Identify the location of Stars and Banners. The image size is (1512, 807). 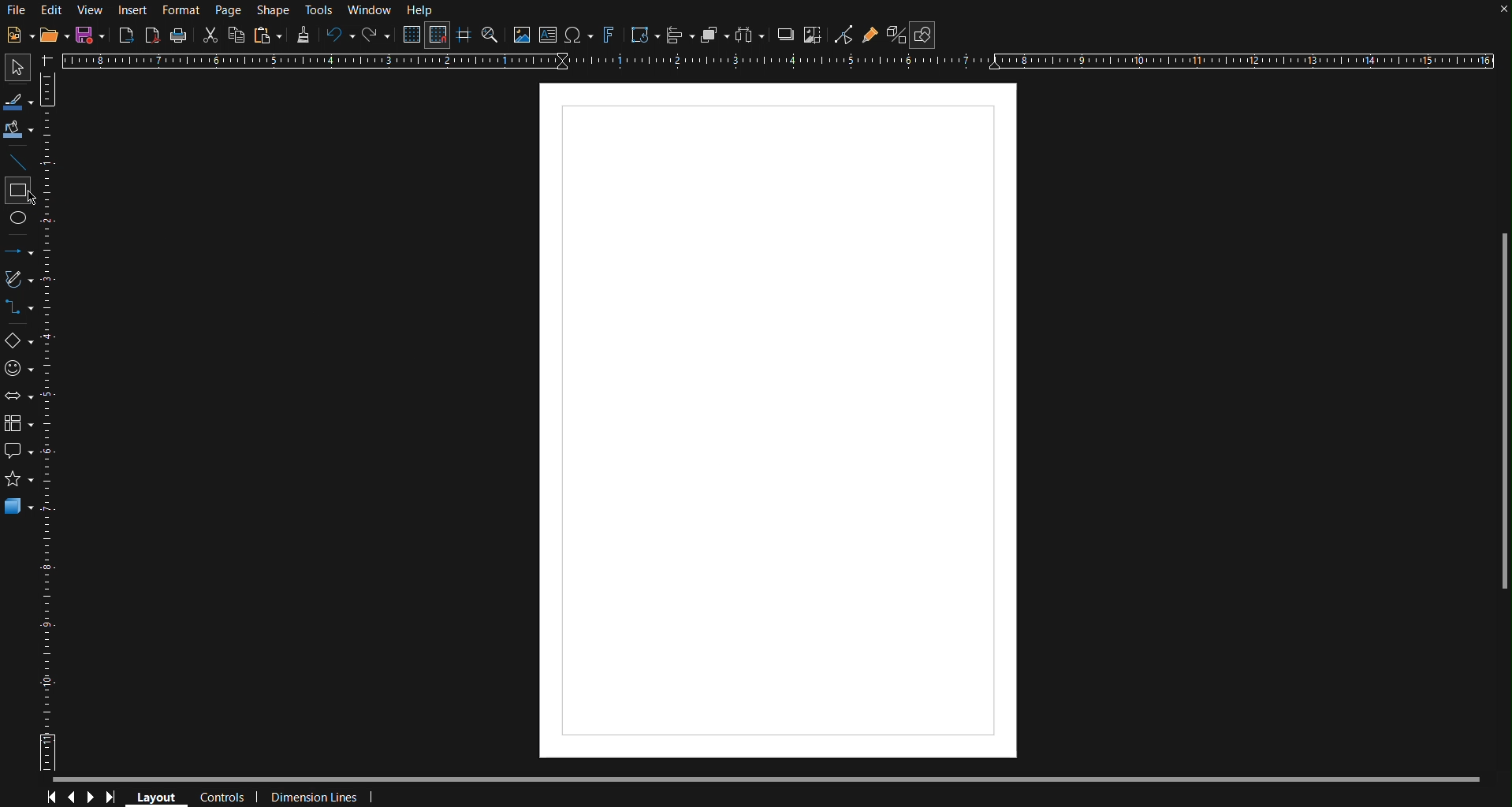
(19, 478).